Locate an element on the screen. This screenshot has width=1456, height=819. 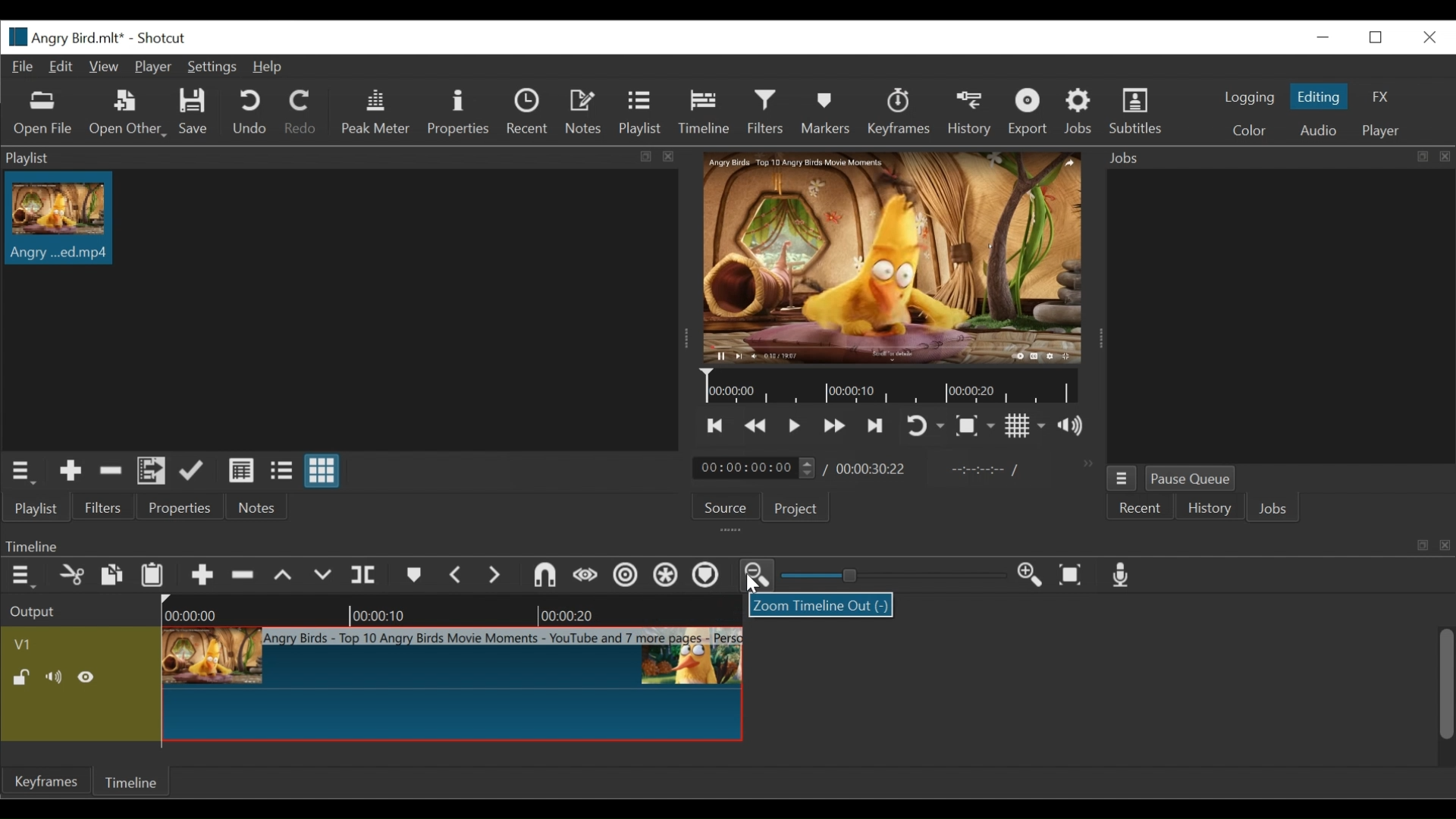
keyframes is located at coordinates (45, 797).